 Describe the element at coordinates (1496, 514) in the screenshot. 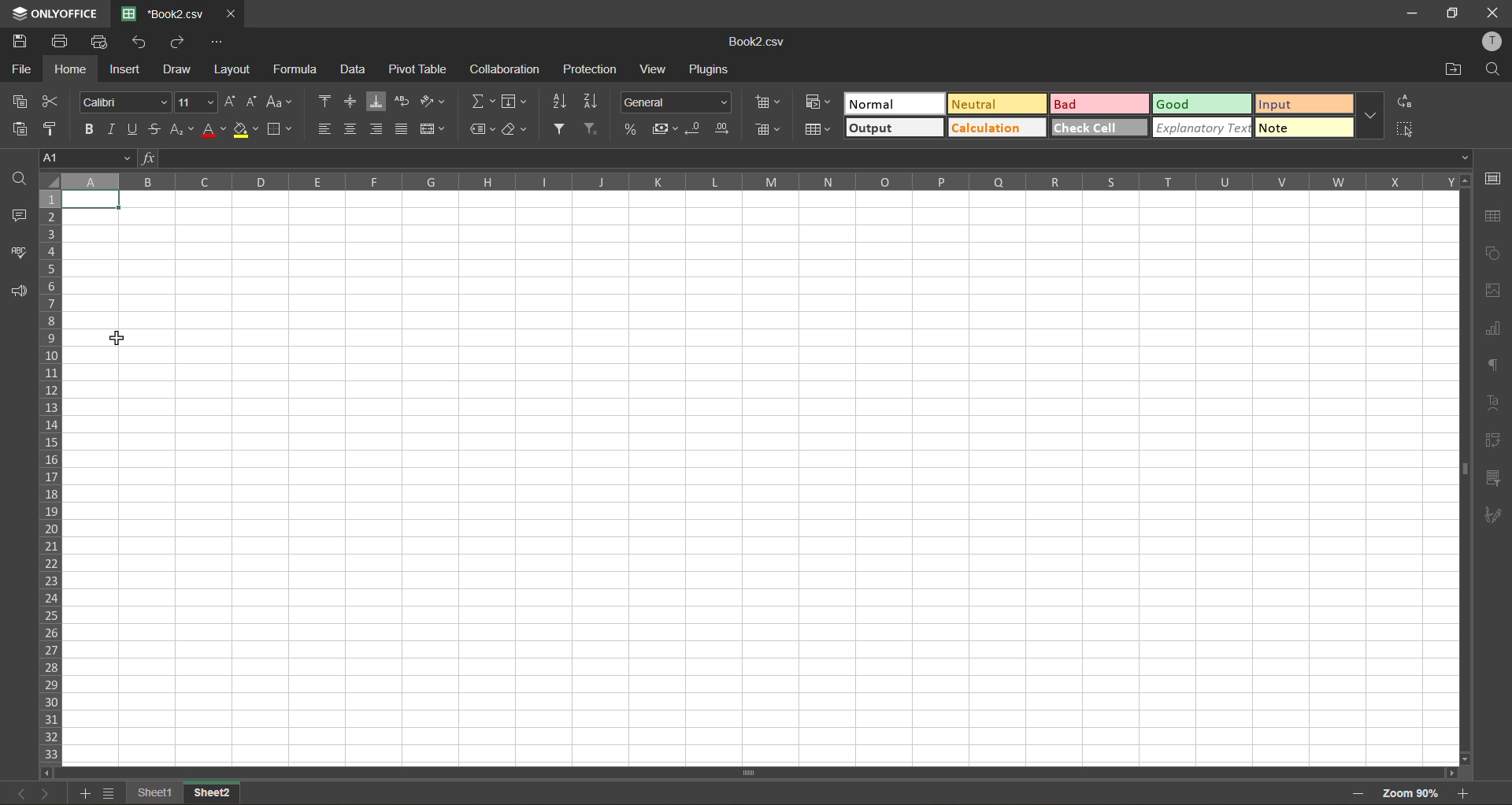

I see `signature` at that location.